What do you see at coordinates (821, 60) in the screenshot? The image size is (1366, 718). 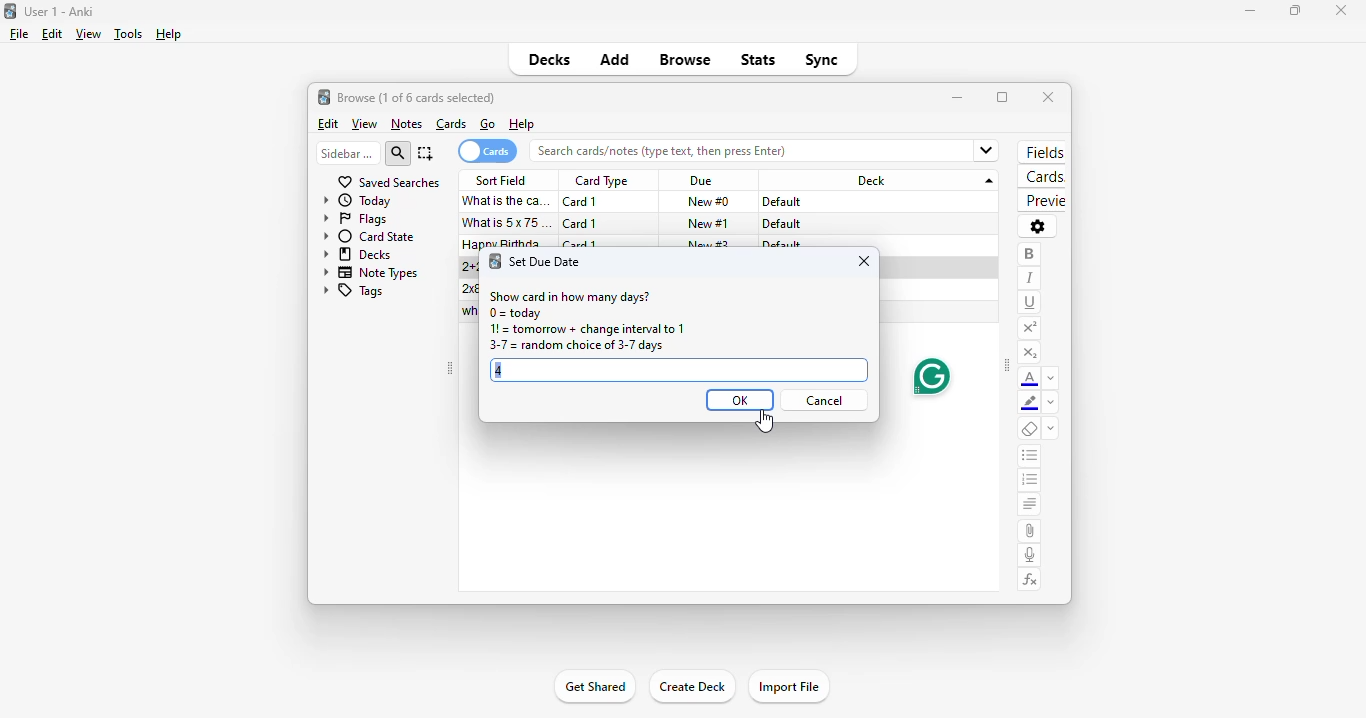 I see `sync` at bounding box center [821, 60].